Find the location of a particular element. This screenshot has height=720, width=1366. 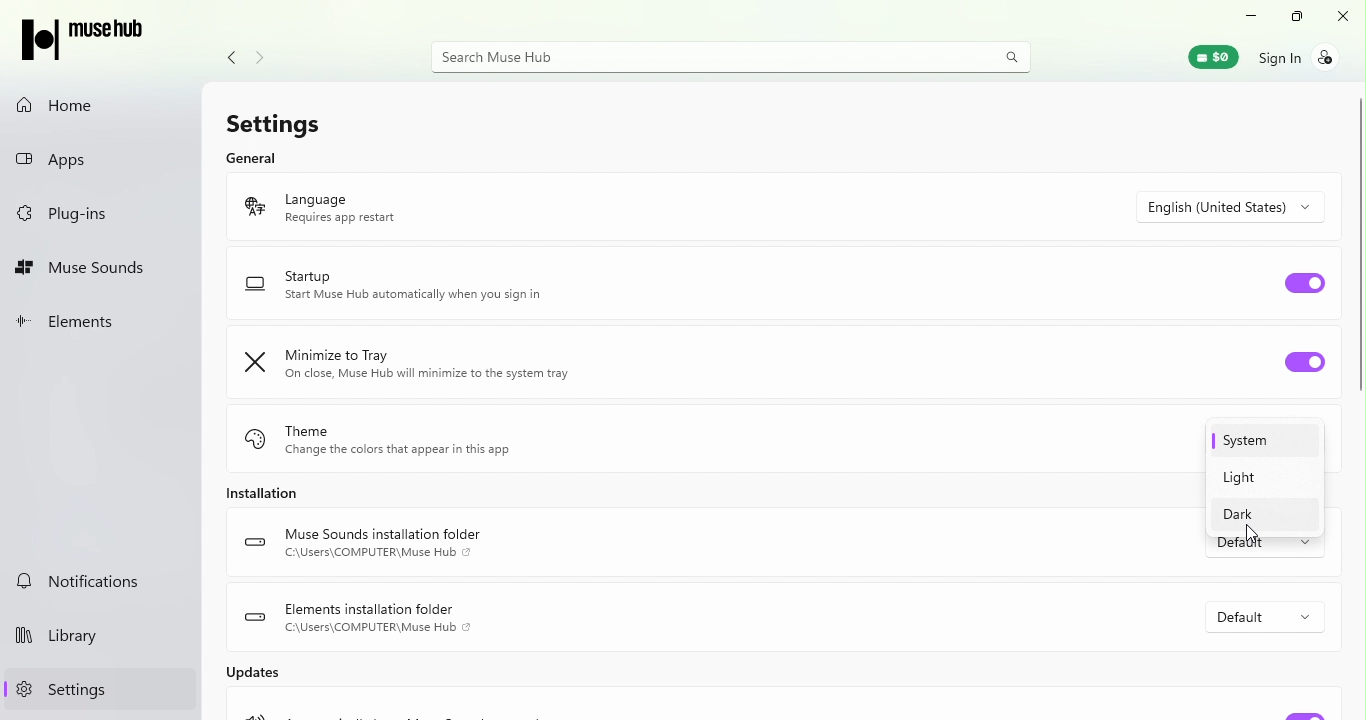

Theme is located at coordinates (443, 437).